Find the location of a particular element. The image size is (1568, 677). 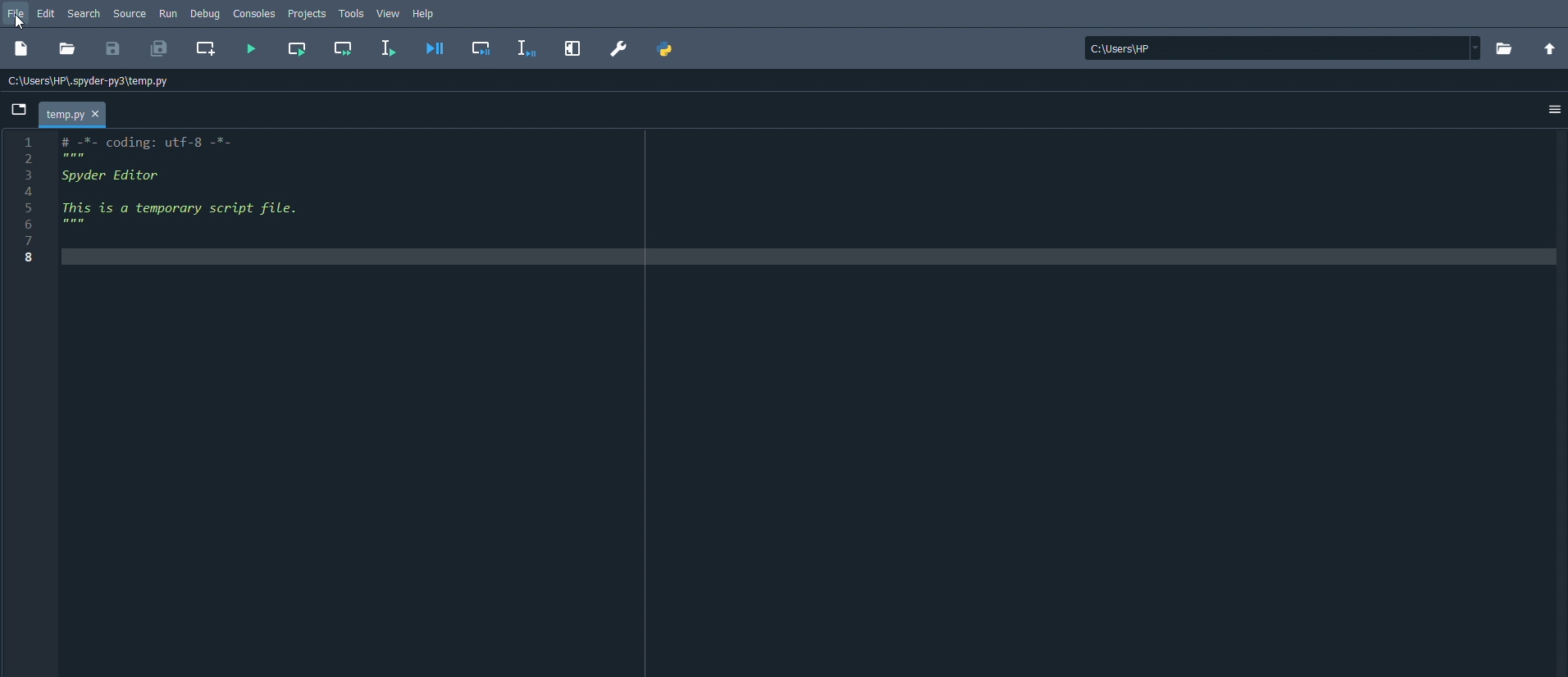

cursor is located at coordinates (21, 22).